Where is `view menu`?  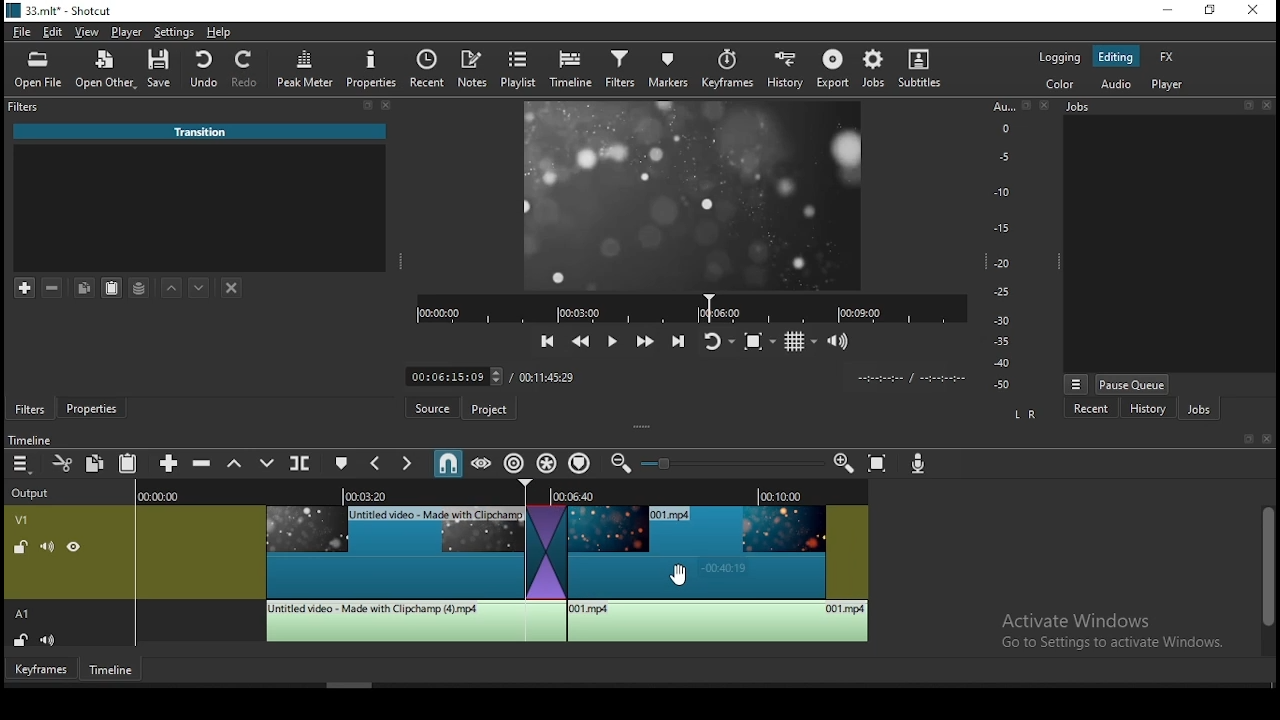
view menu is located at coordinates (1076, 381).